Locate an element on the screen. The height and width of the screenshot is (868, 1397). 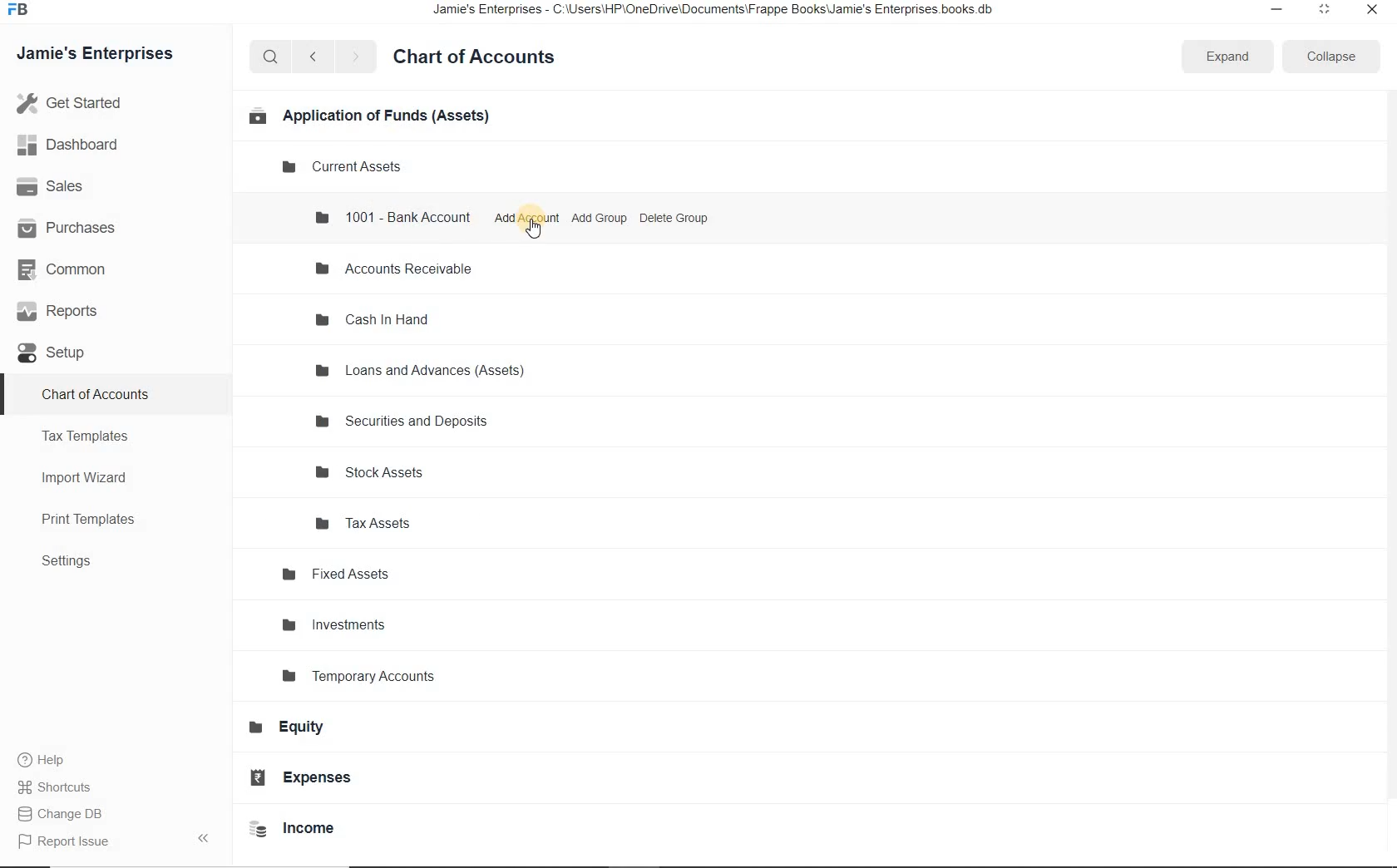
Income is located at coordinates (299, 829).